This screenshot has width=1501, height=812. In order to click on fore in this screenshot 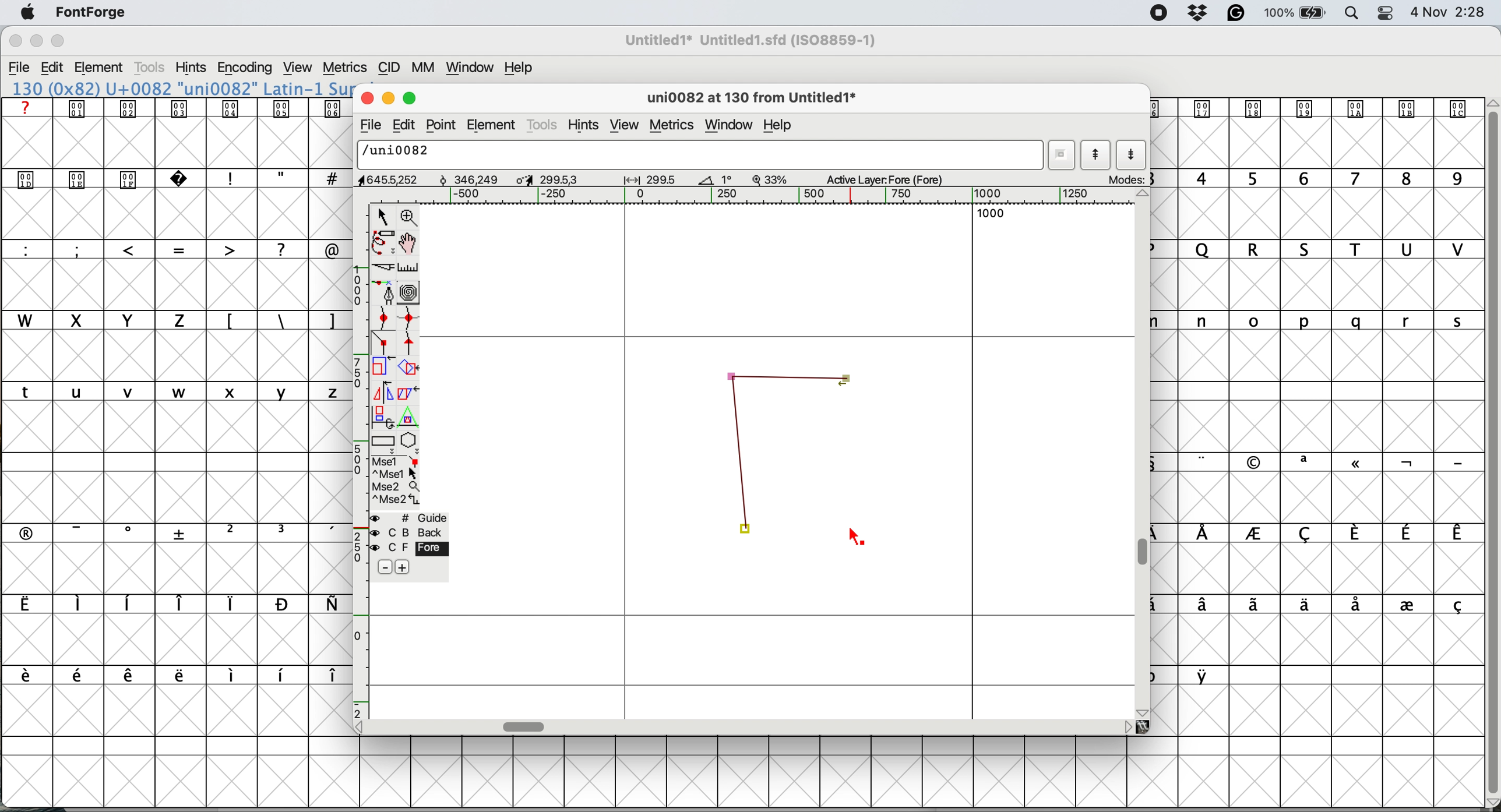, I will do `click(409, 548)`.